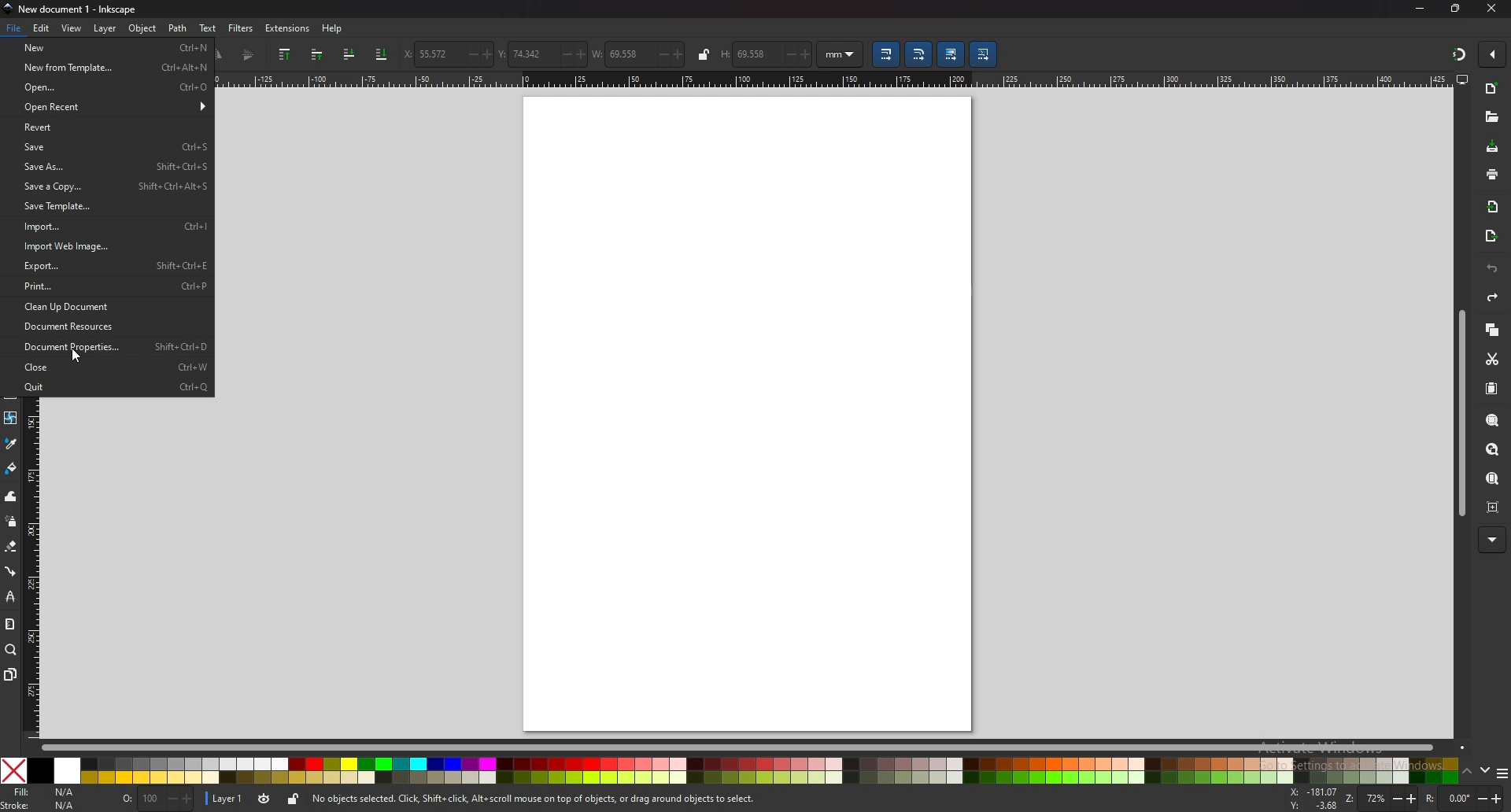 The width and height of the screenshot is (1511, 812). Describe the element at coordinates (109, 127) in the screenshot. I see `revert` at that location.